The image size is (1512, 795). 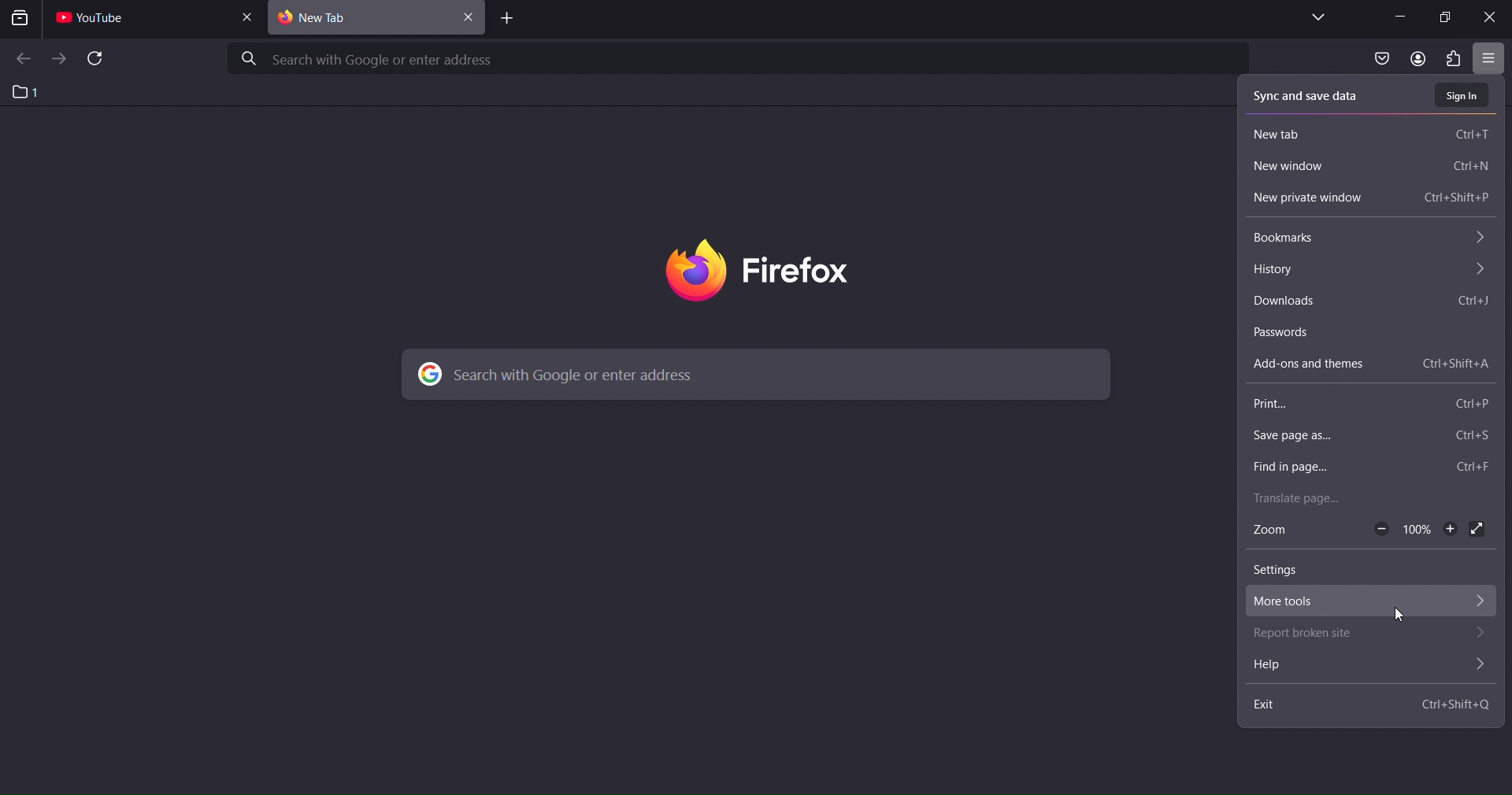 I want to click on display full screen, so click(x=1480, y=530).